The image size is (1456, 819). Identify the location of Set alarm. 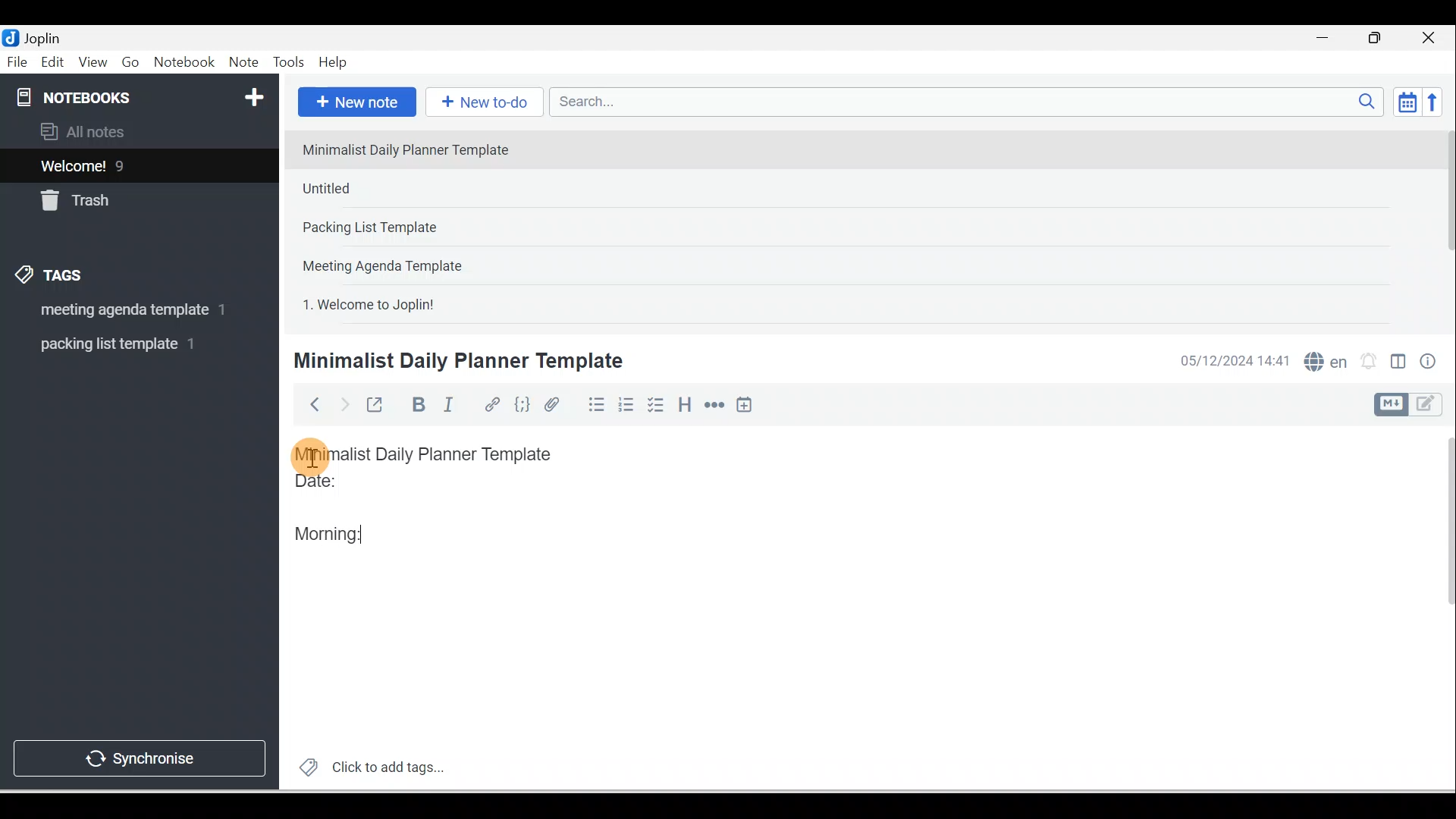
(1367, 362).